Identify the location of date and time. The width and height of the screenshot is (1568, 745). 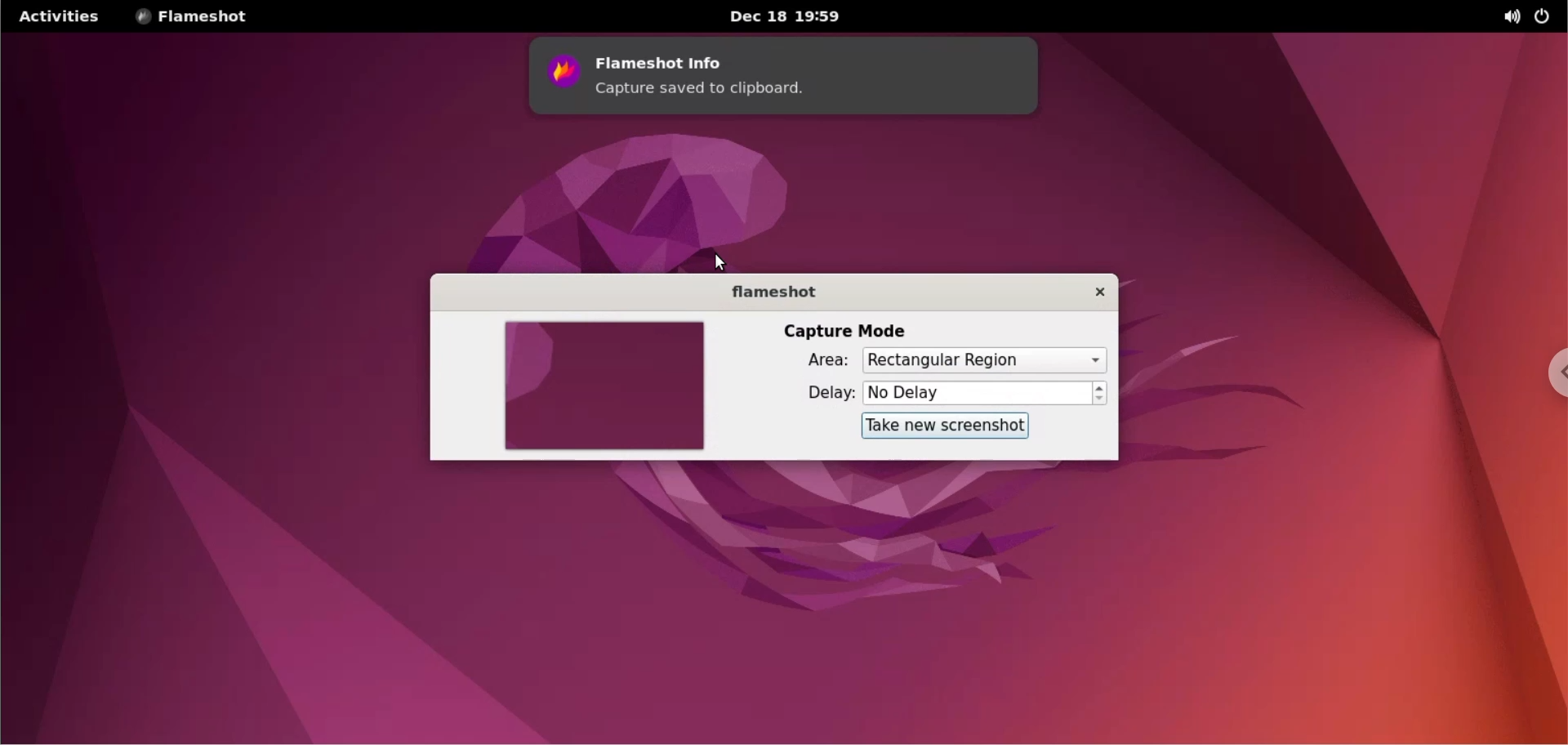
(783, 18).